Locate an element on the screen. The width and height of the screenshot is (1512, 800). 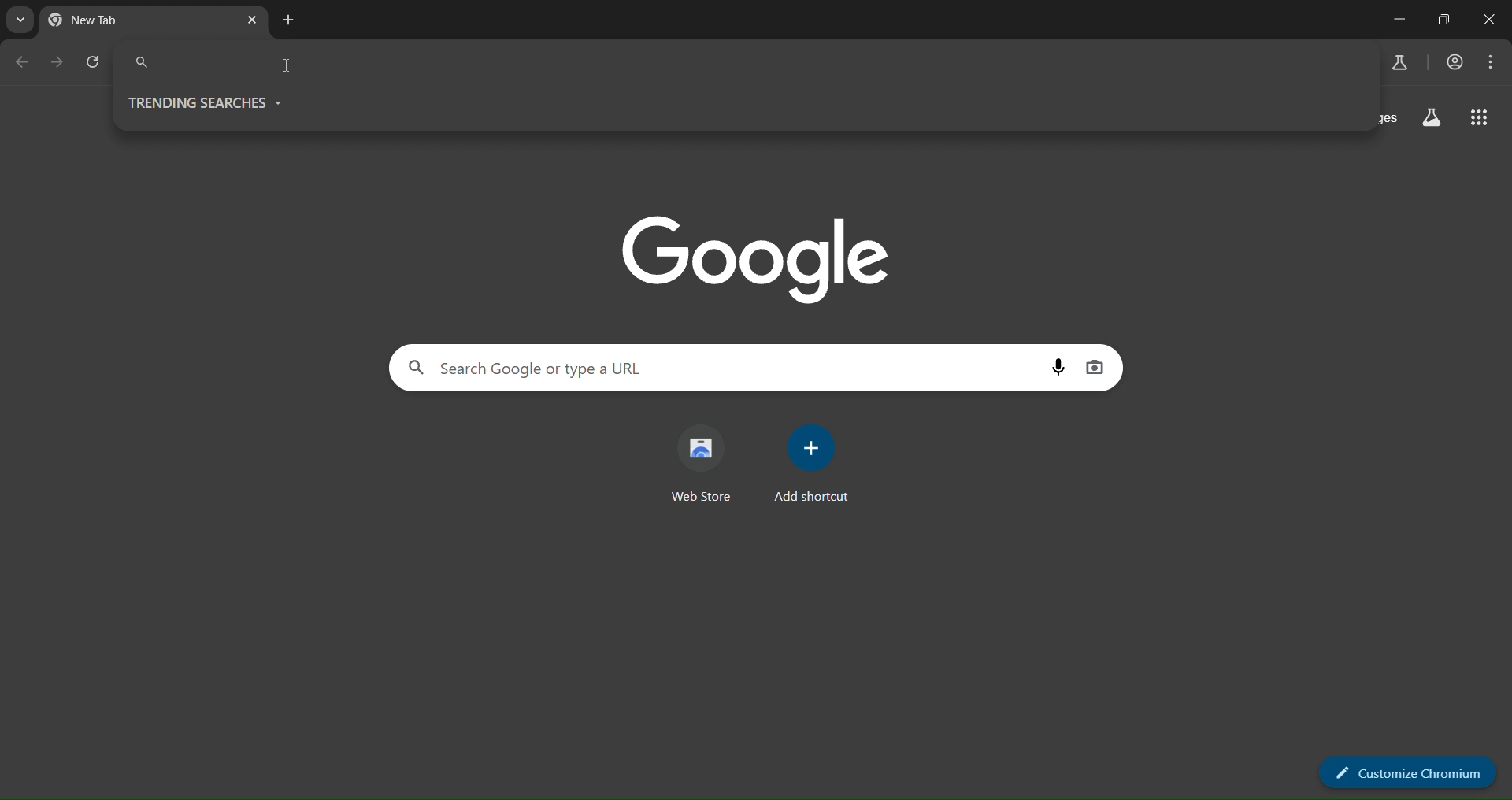
google apps is located at coordinates (1482, 120).